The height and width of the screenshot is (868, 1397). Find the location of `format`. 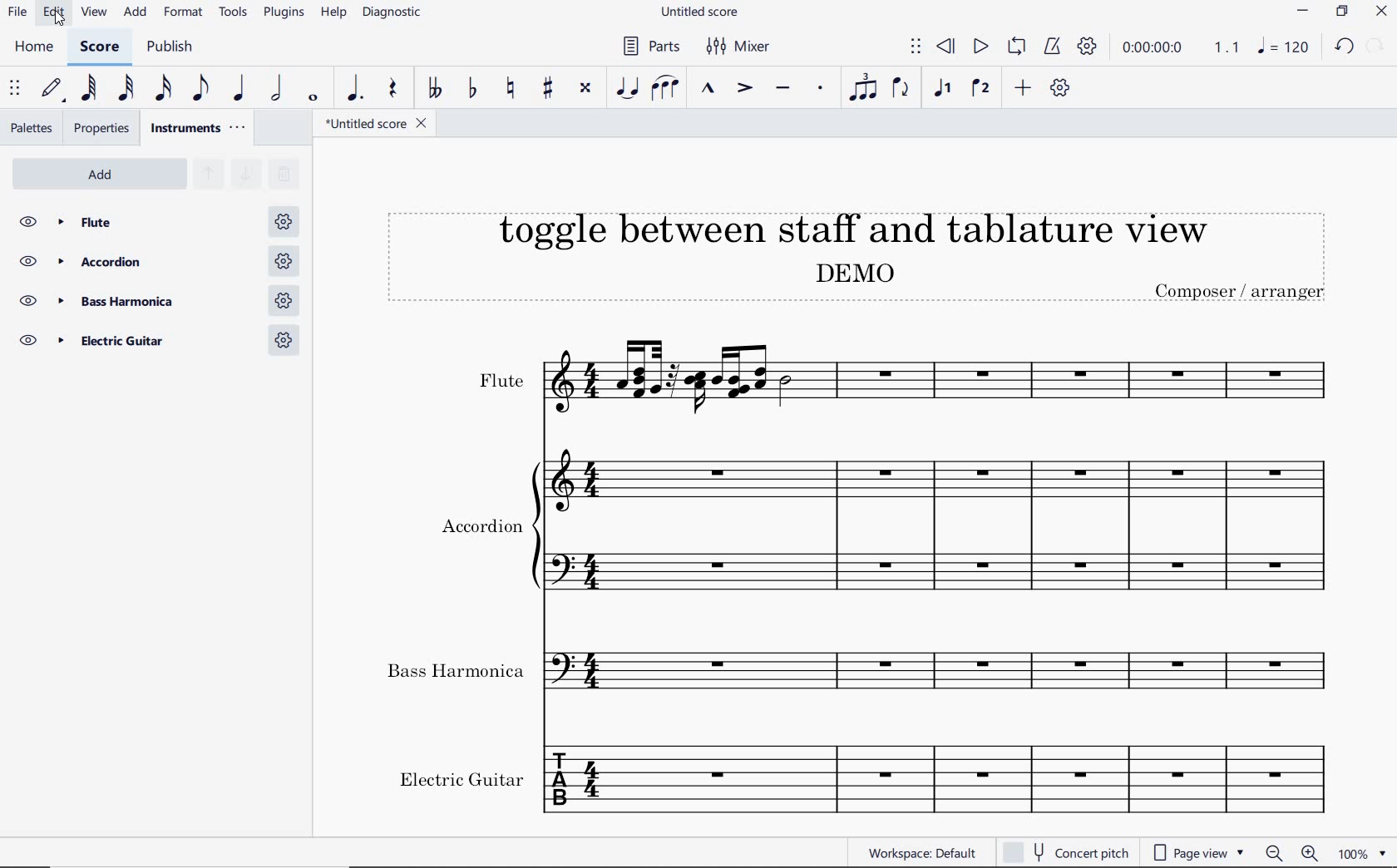

format is located at coordinates (185, 13).